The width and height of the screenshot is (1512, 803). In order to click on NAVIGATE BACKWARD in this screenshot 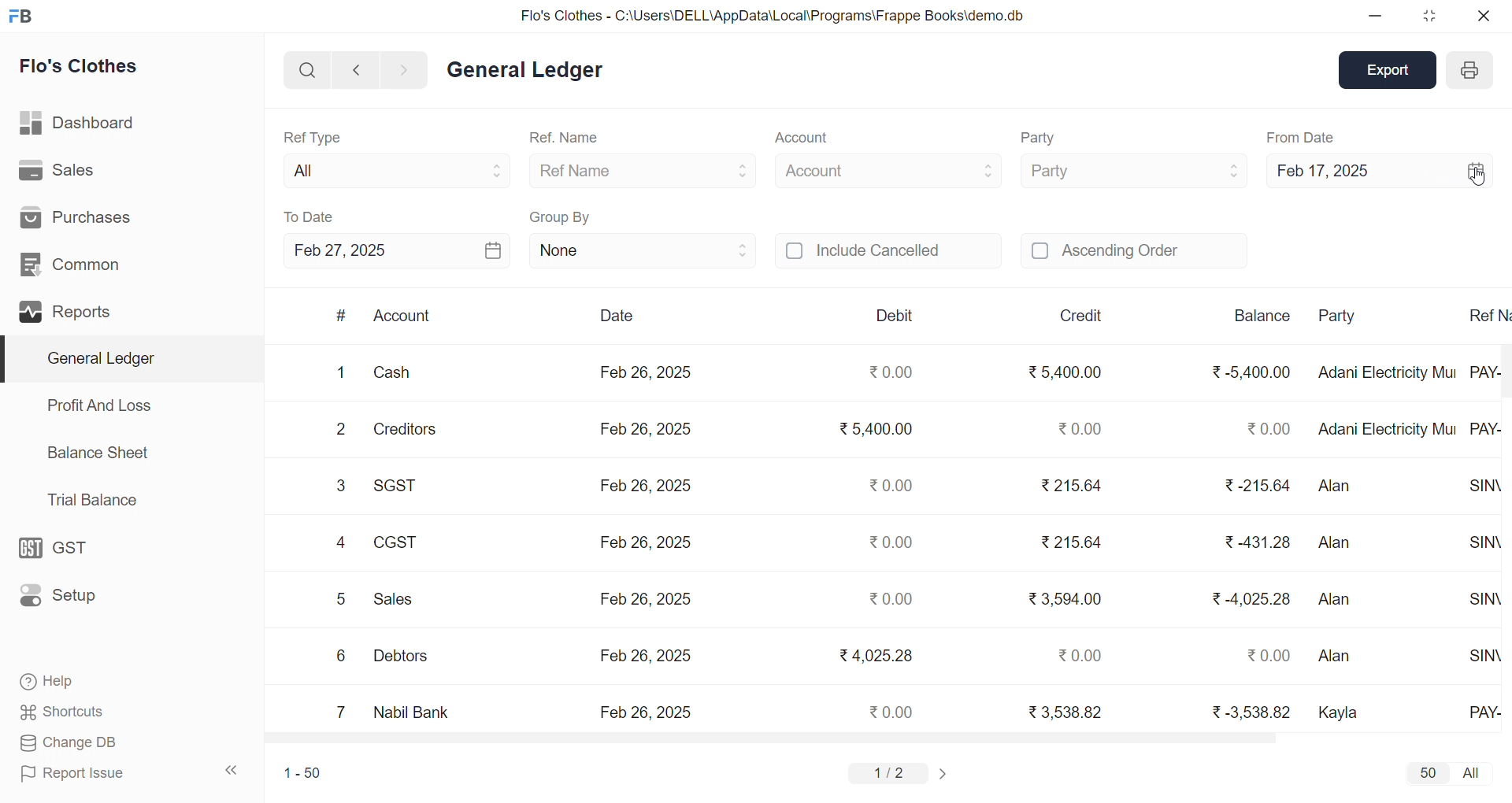, I will do `click(355, 68)`.